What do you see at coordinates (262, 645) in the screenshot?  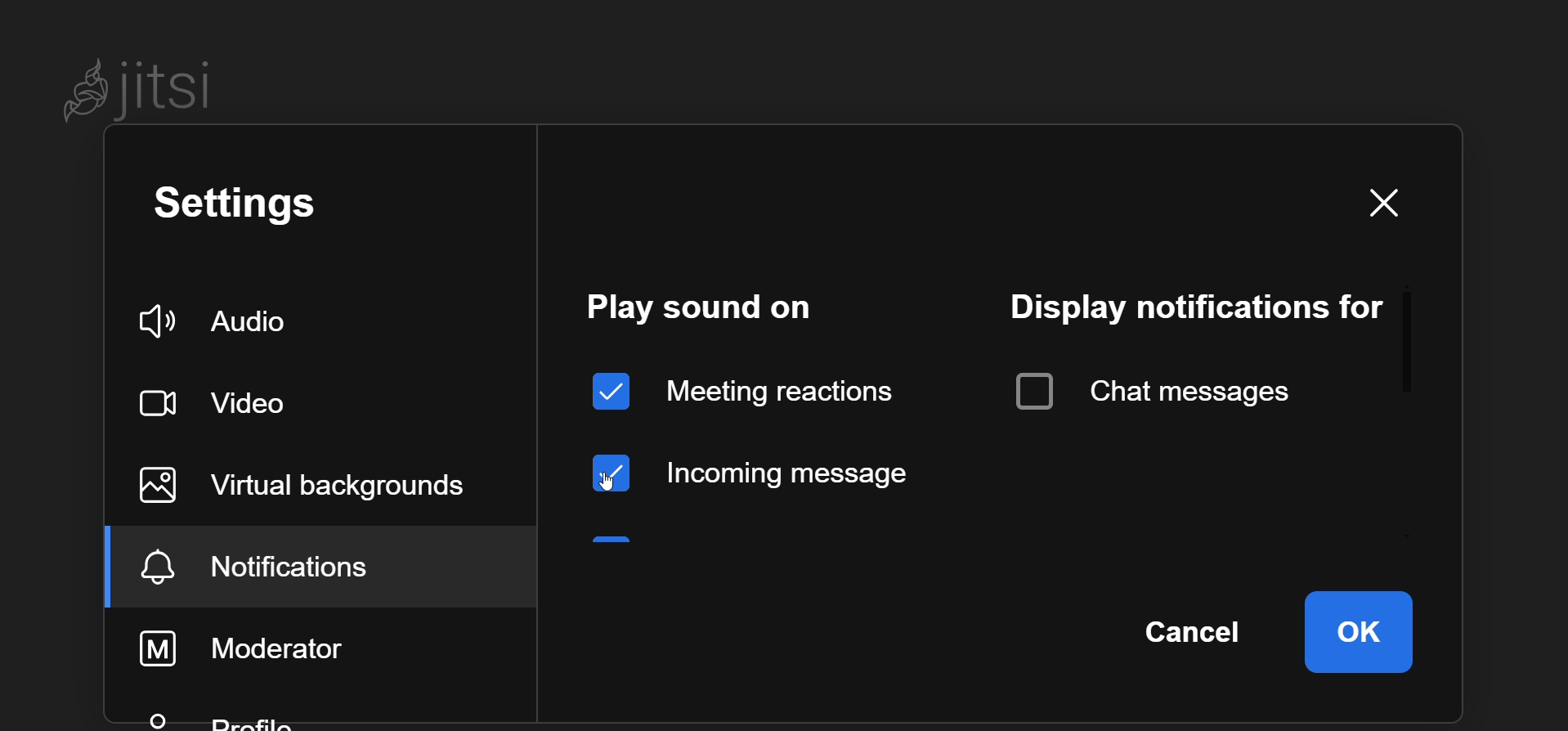 I see `moderator` at bounding box center [262, 645].